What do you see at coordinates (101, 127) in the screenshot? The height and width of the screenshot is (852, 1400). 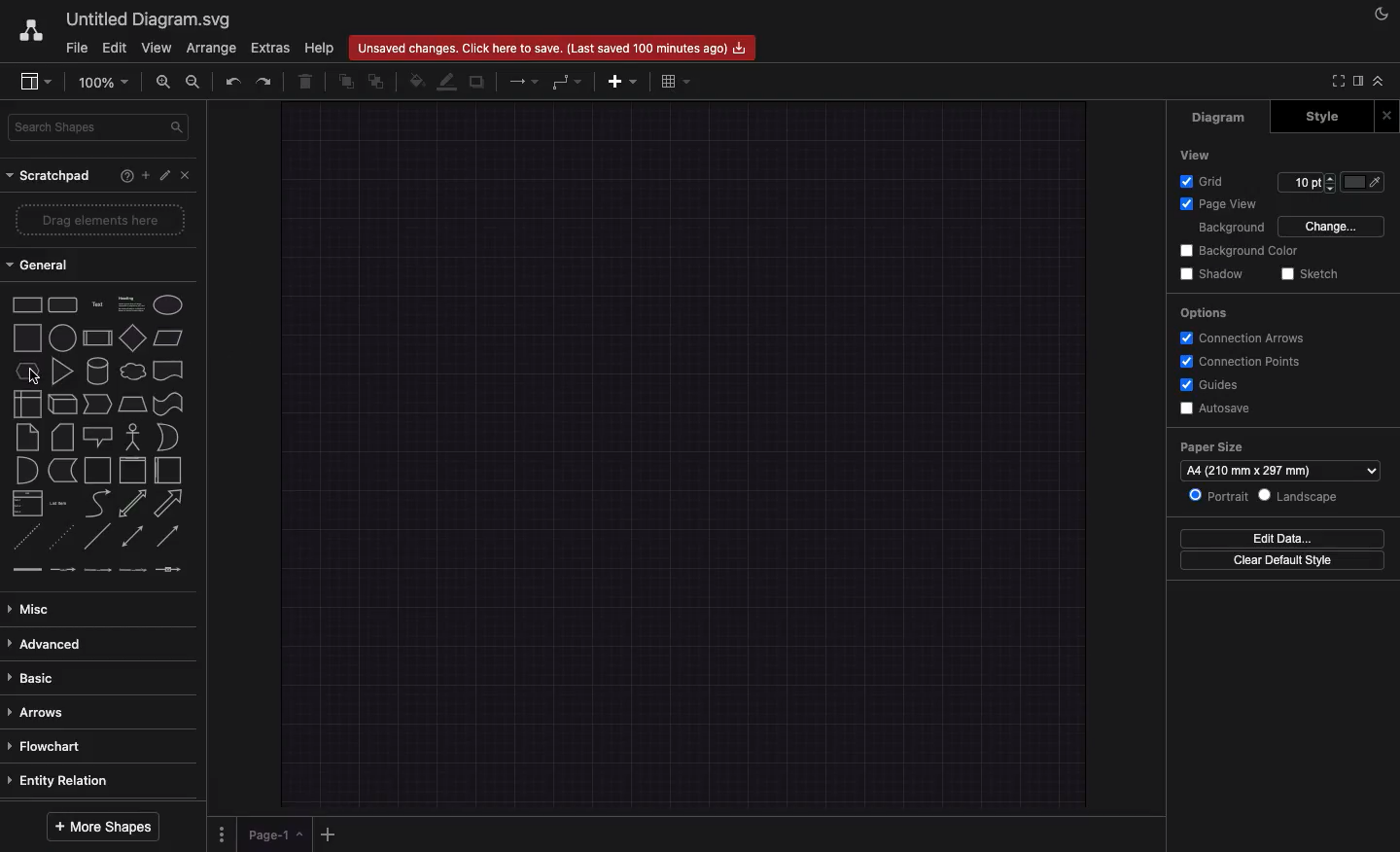 I see `Search shapes` at bounding box center [101, 127].